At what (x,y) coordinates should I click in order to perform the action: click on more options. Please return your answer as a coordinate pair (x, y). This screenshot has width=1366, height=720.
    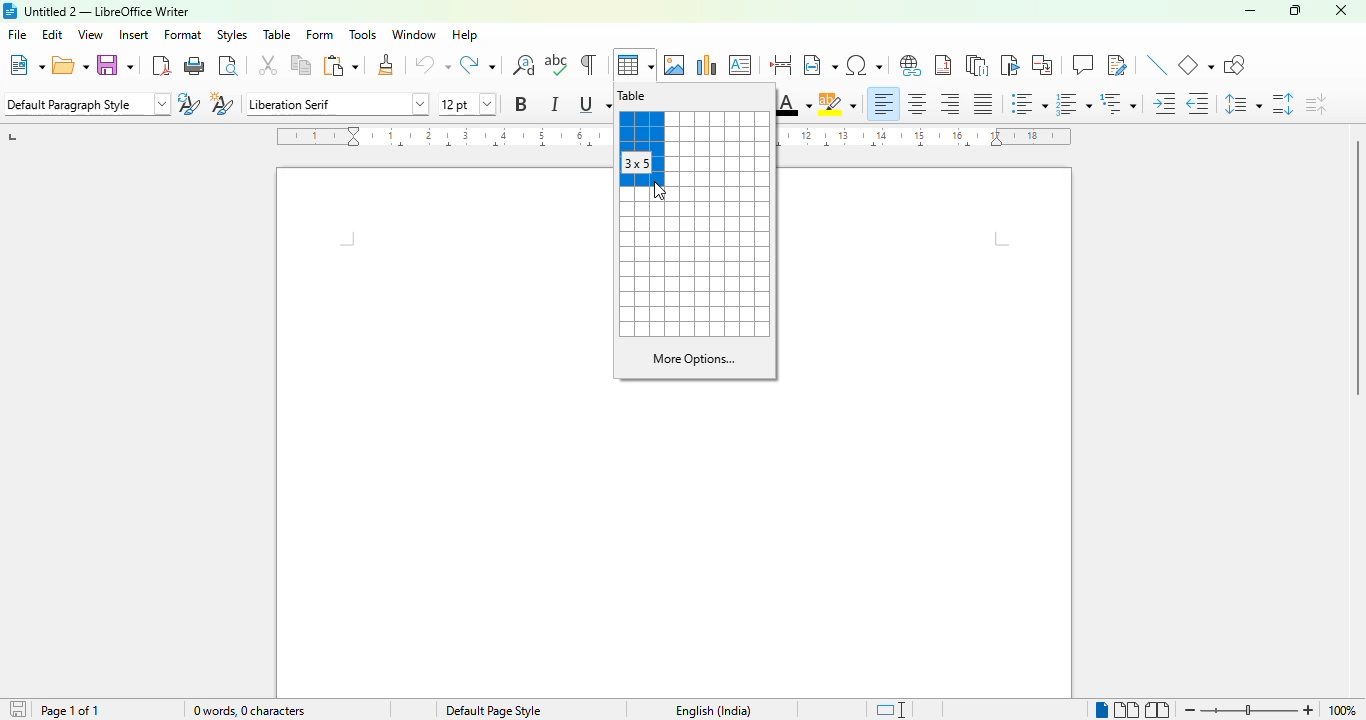
    Looking at the image, I should click on (694, 359).